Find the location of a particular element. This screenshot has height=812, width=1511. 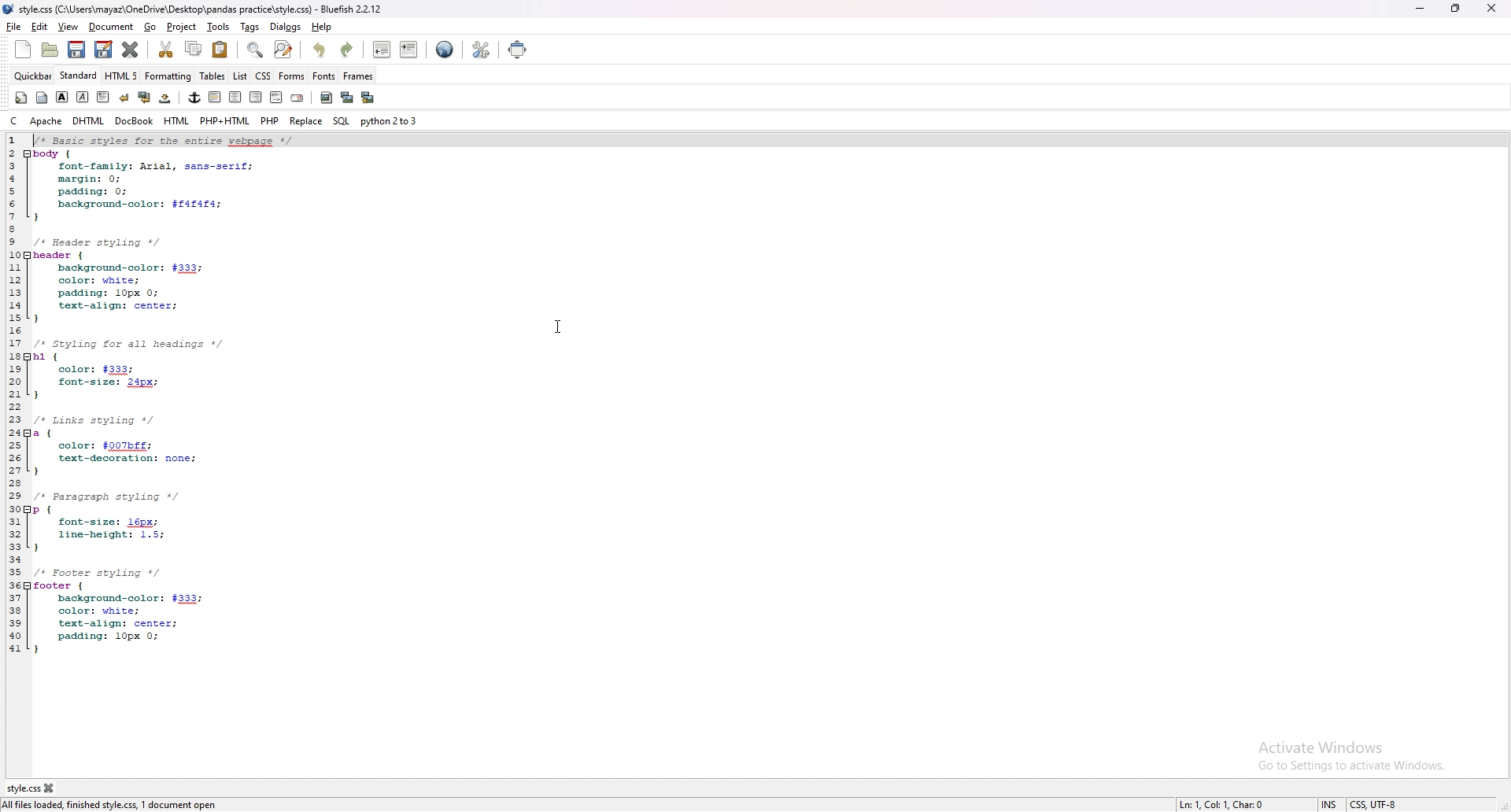

right justify is located at coordinates (257, 98).